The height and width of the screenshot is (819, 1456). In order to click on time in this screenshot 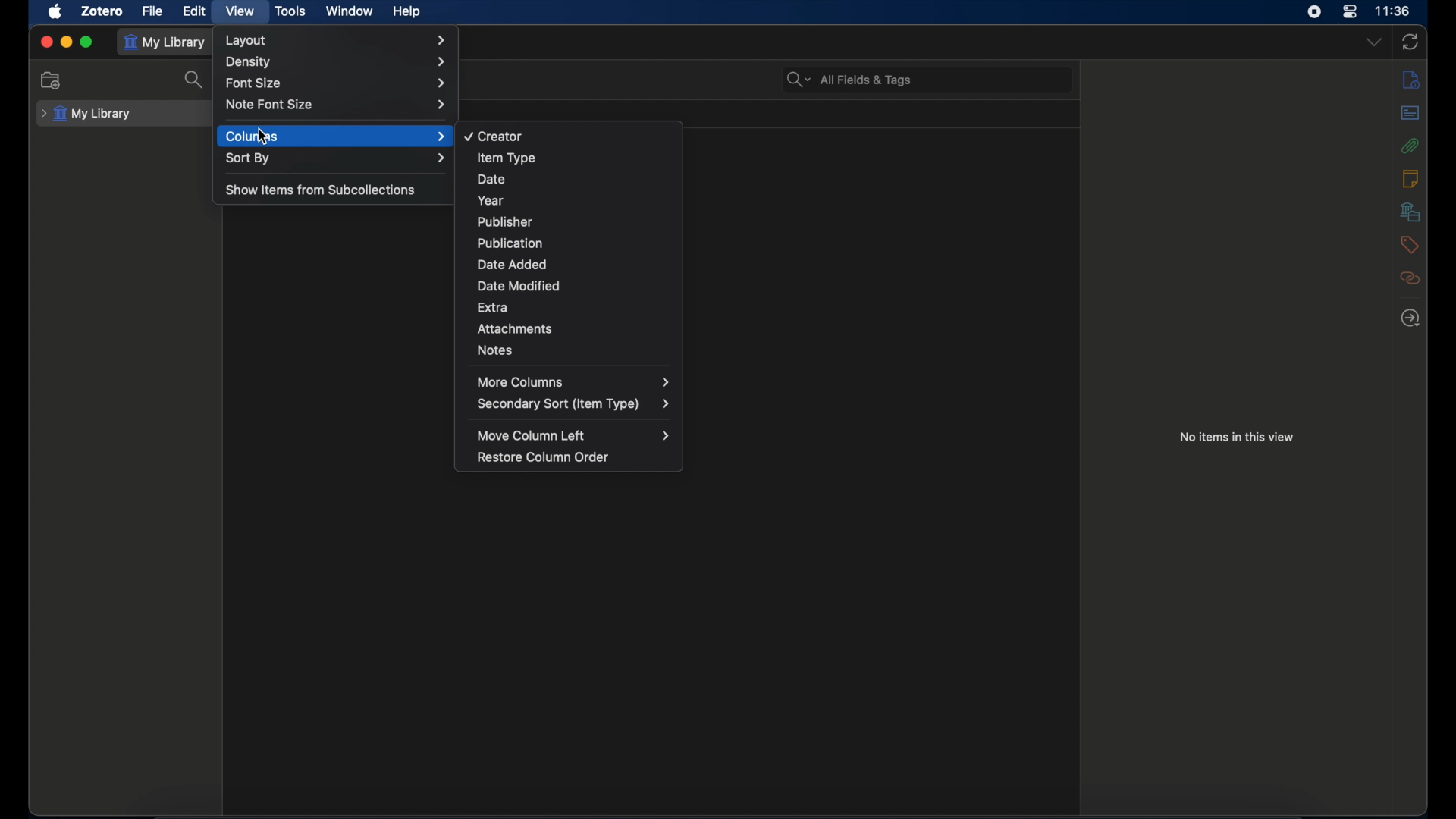, I will do `click(1394, 11)`.